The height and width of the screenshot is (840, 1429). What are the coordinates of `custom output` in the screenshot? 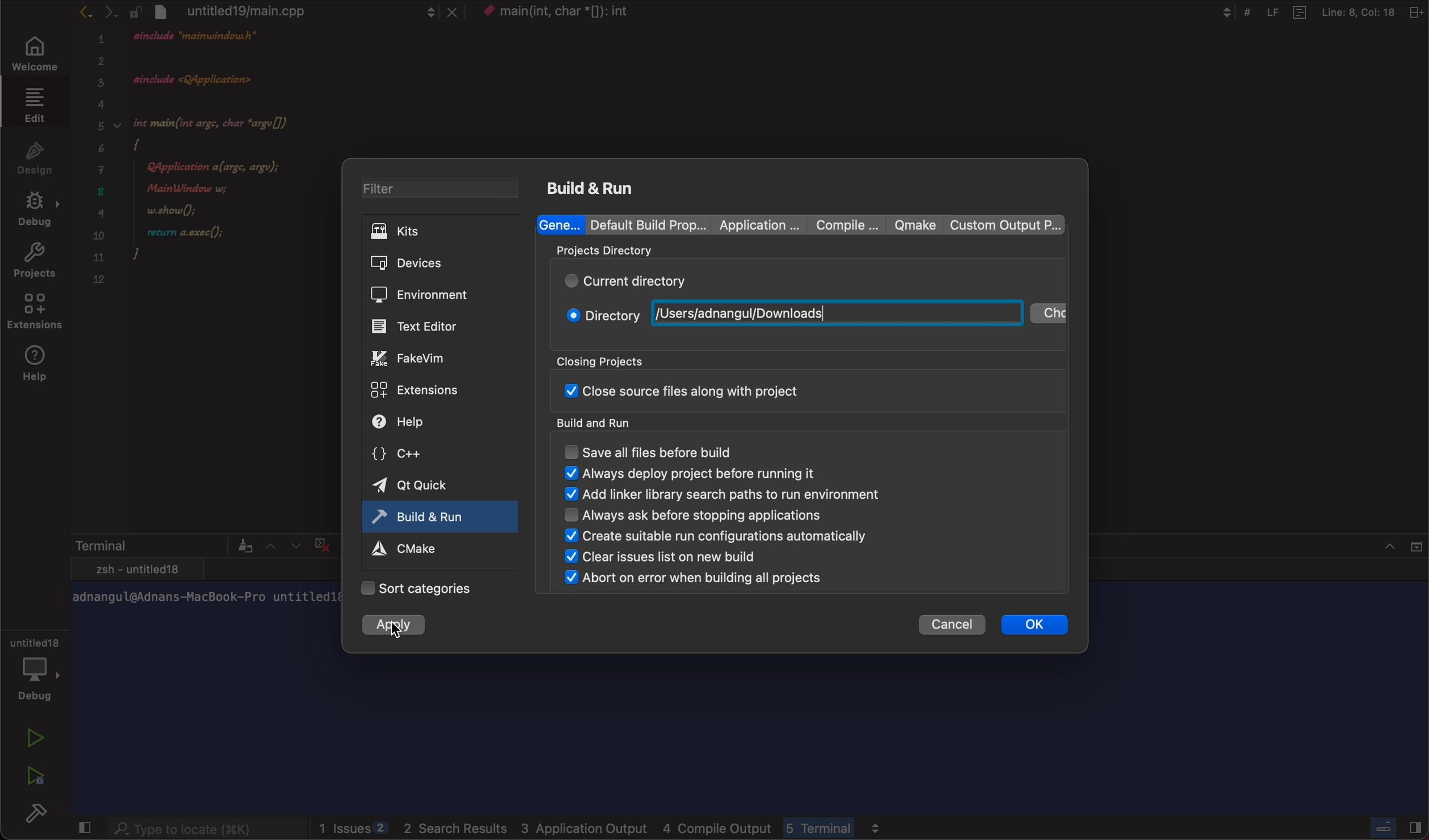 It's located at (1004, 225).